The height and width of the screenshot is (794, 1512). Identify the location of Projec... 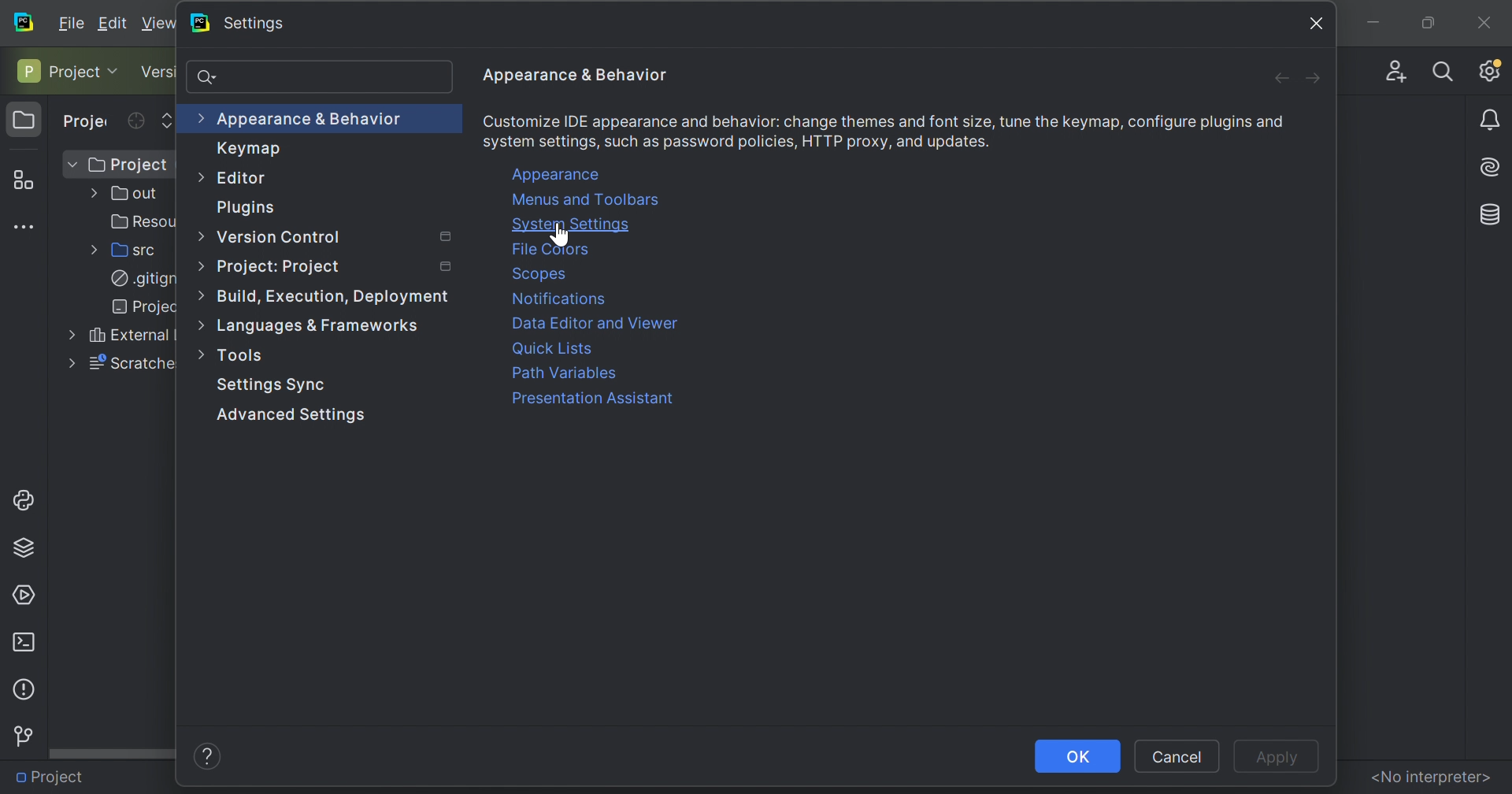
(134, 307).